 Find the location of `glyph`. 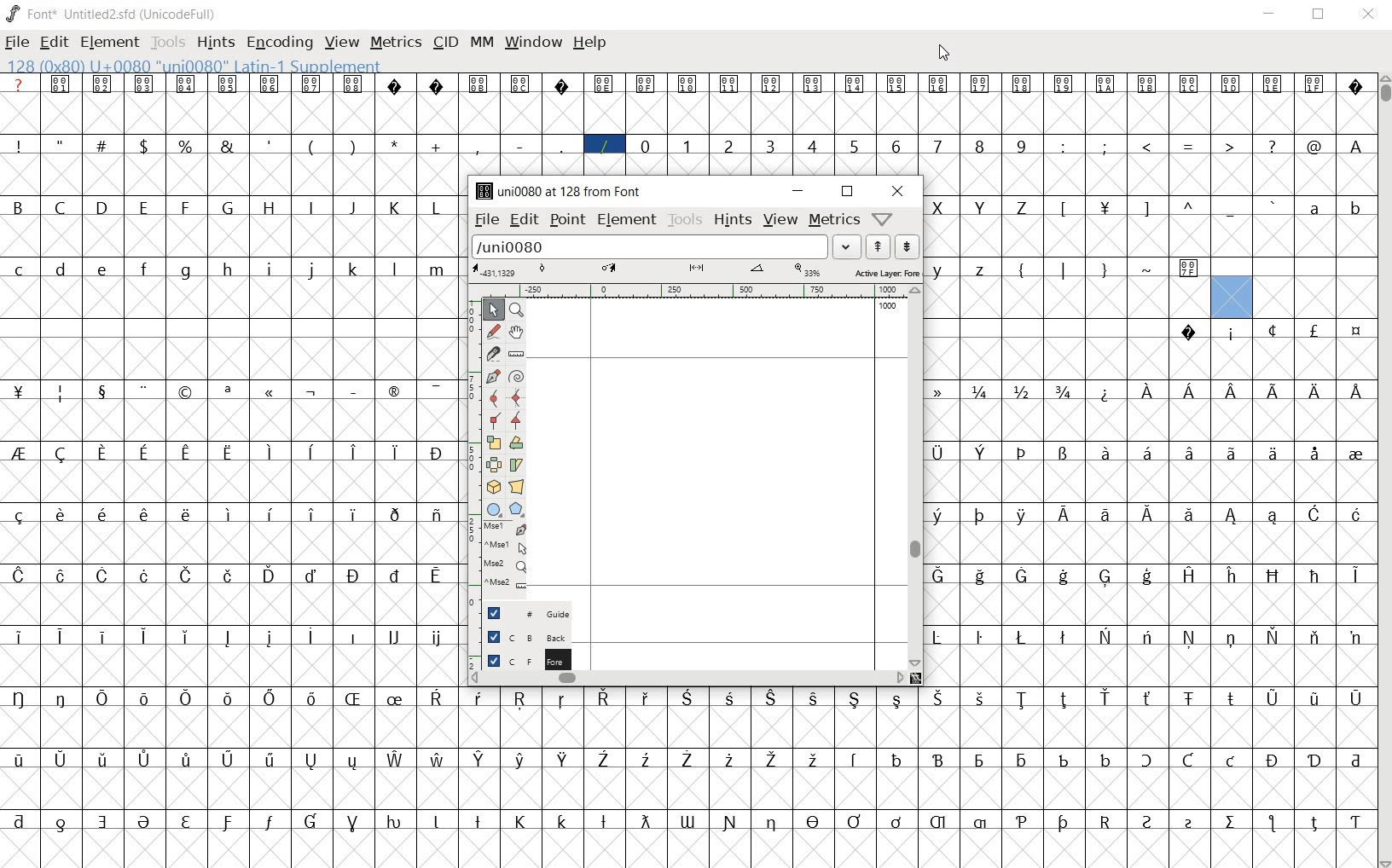

glyph is located at coordinates (731, 698).